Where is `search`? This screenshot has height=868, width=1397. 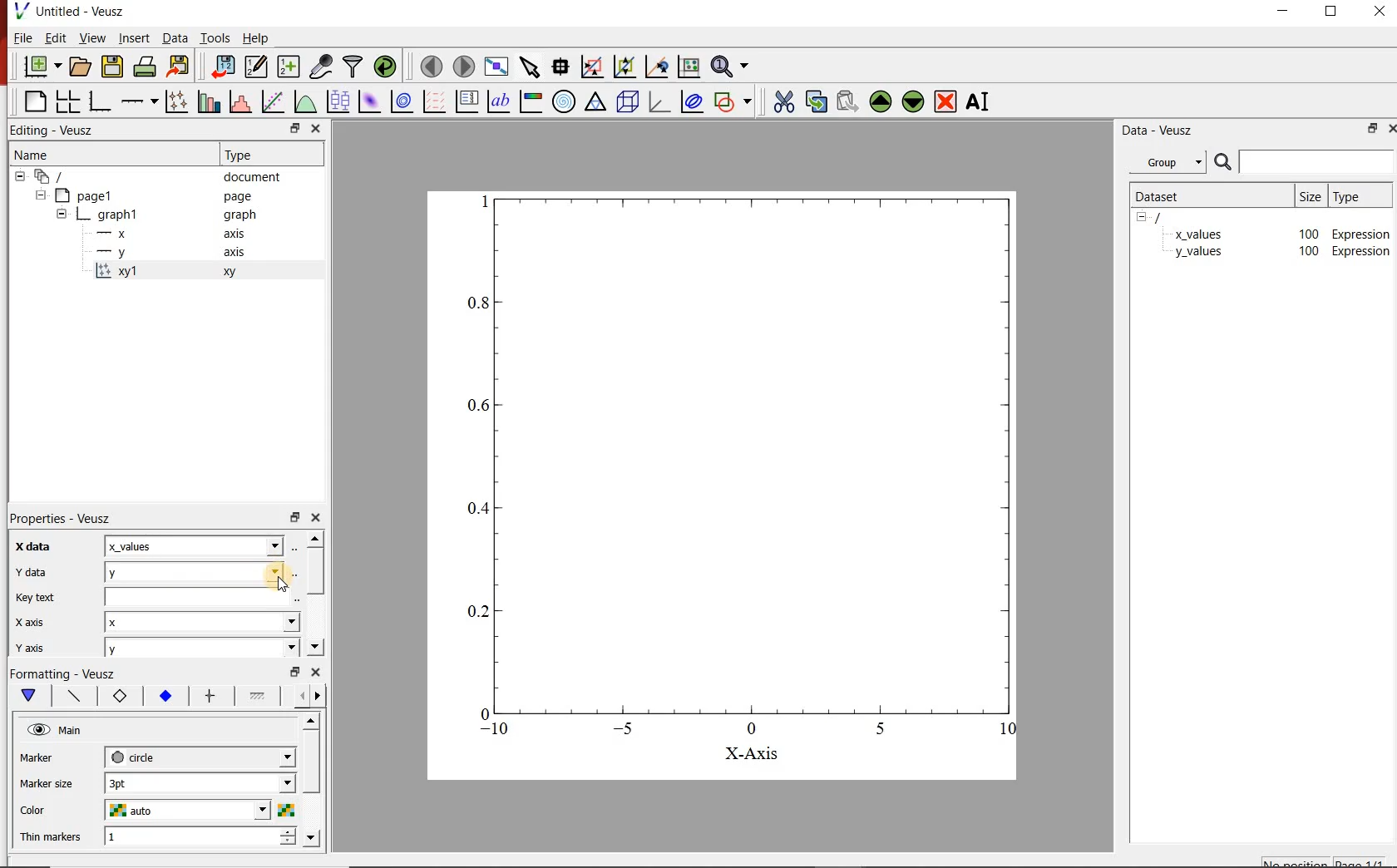 search is located at coordinates (1221, 162).